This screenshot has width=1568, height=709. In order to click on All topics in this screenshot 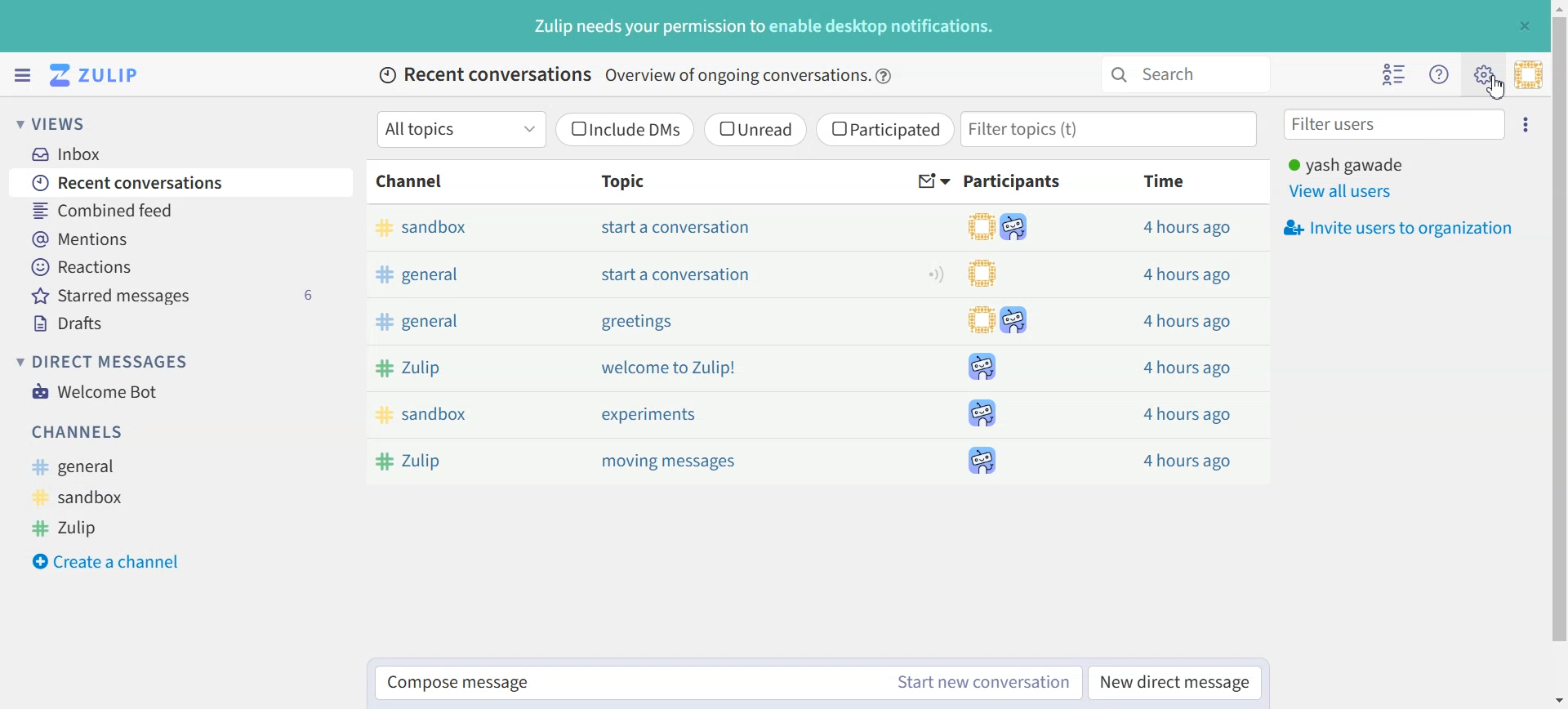, I will do `click(461, 129)`.